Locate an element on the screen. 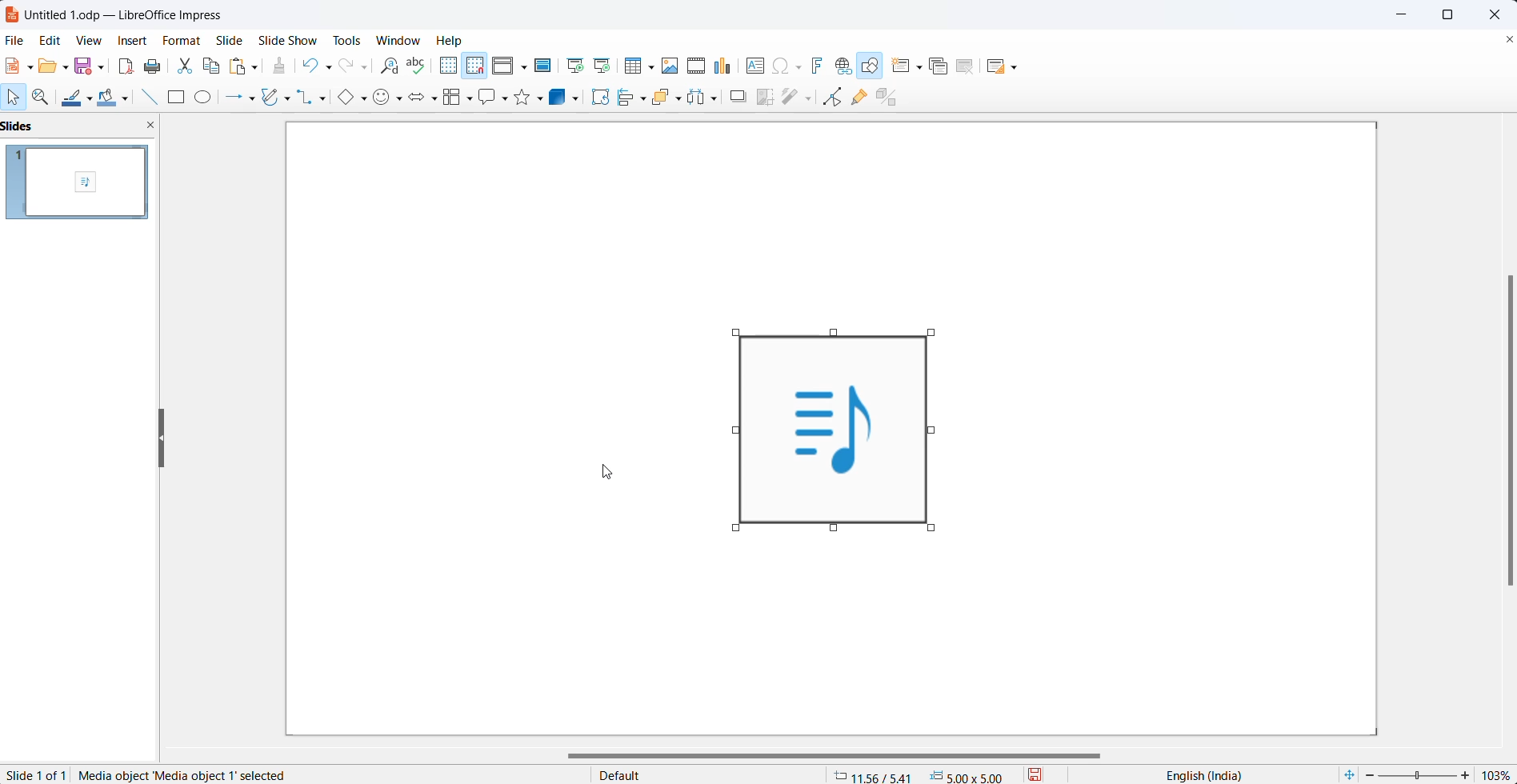 The image size is (1517, 784). toggle point edit mode is located at coordinates (831, 100).